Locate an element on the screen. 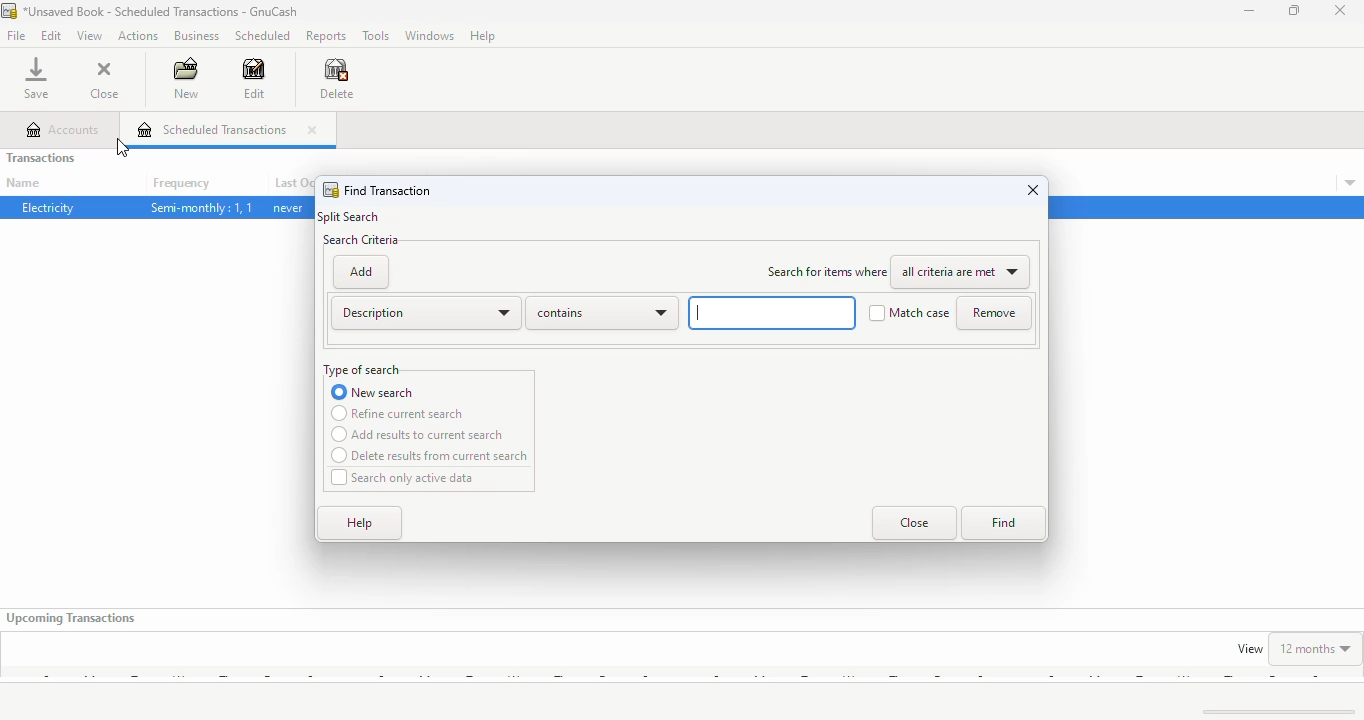 The image size is (1364, 720). view is located at coordinates (1250, 649).